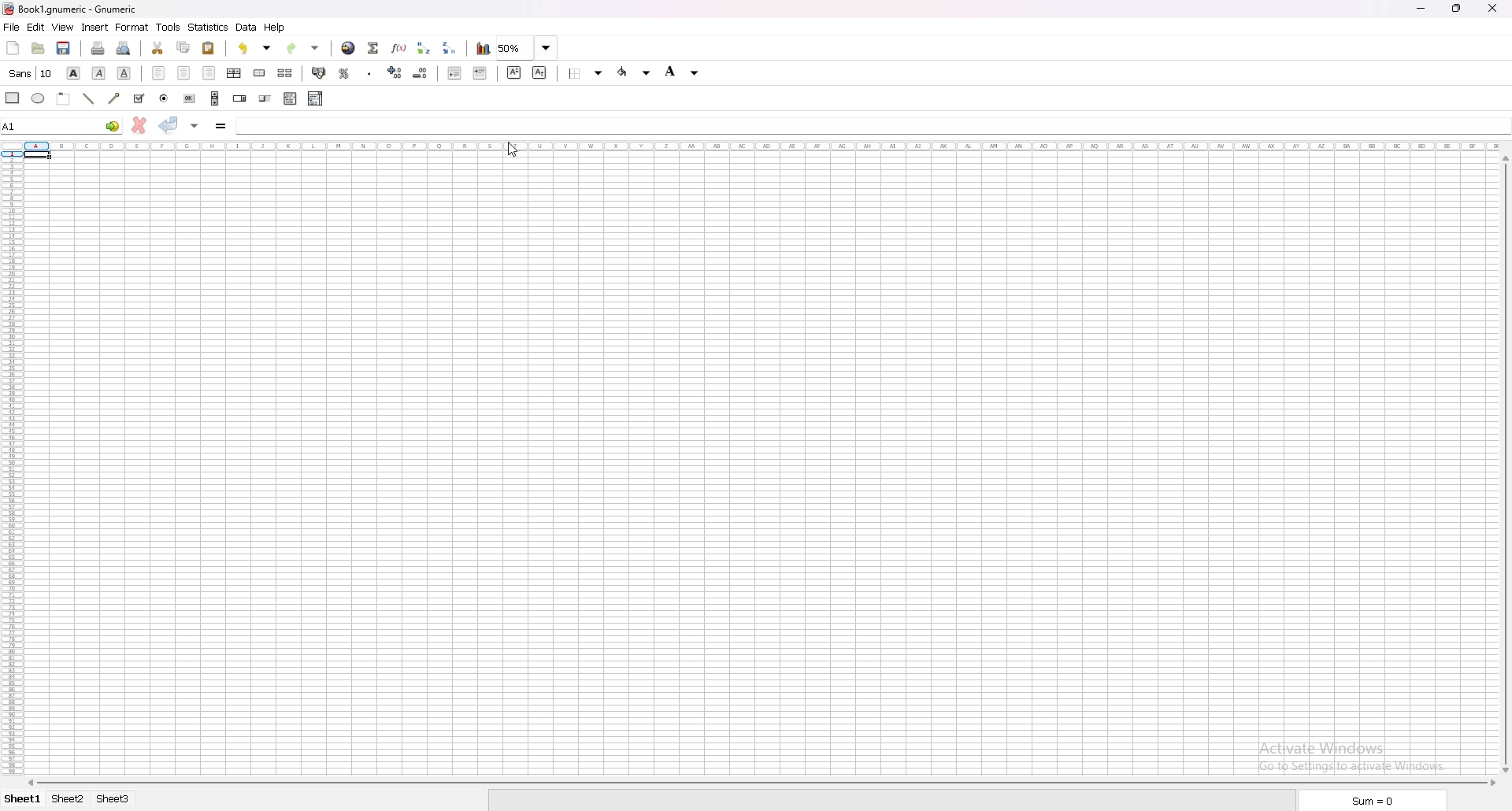 The image size is (1512, 811). Describe the element at coordinates (578, 72) in the screenshot. I see `border` at that location.